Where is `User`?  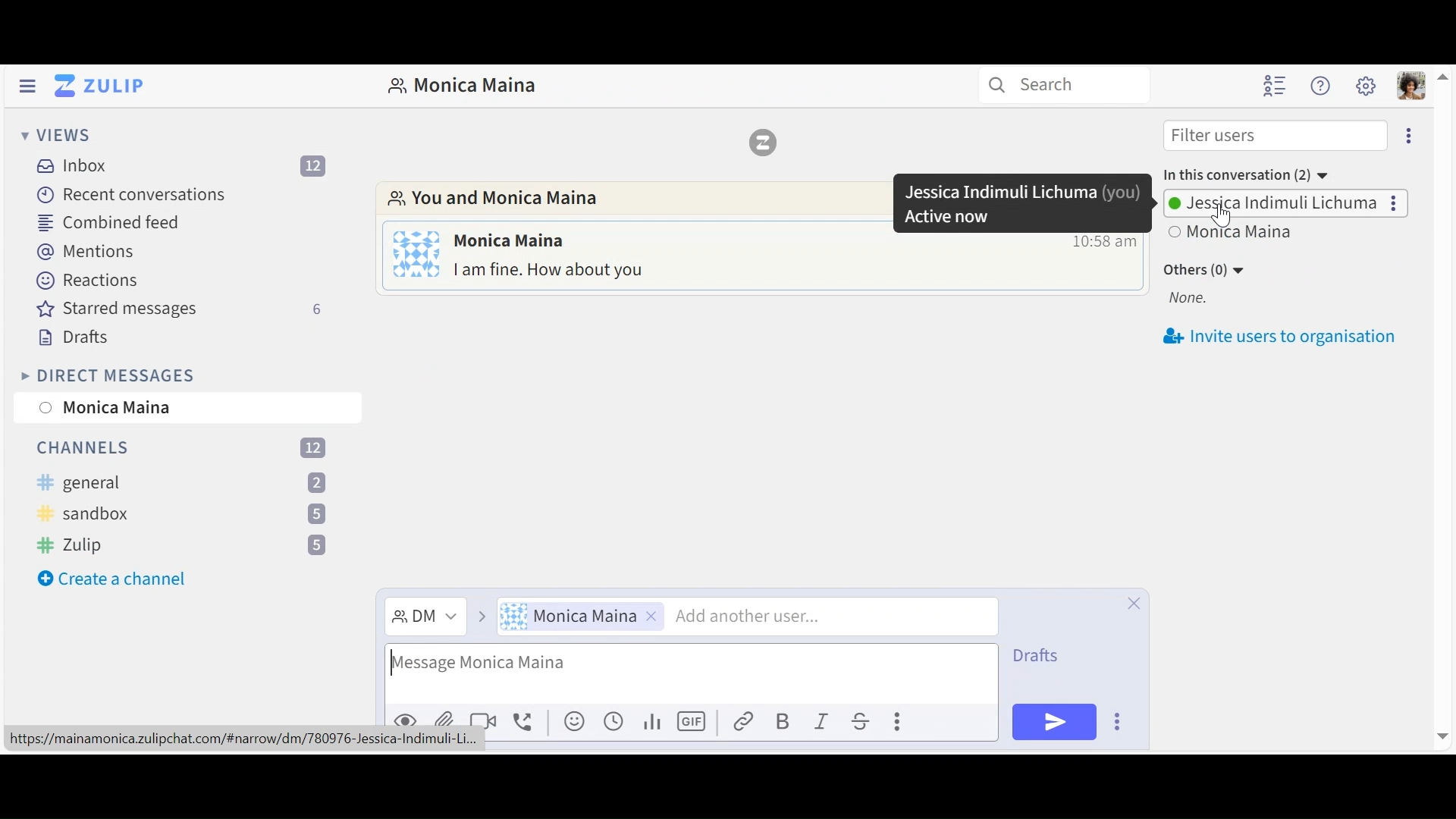
User is located at coordinates (581, 616).